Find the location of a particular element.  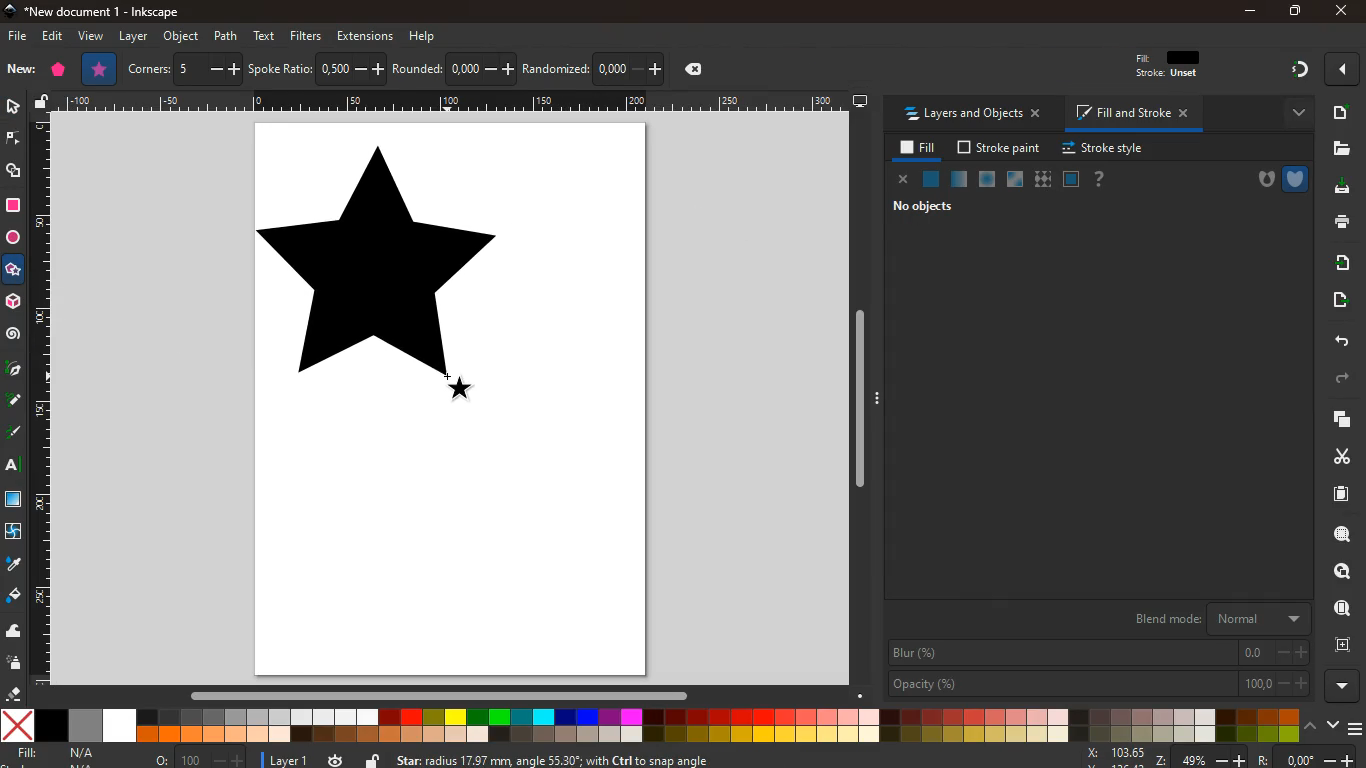

rounded is located at coordinates (454, 67).